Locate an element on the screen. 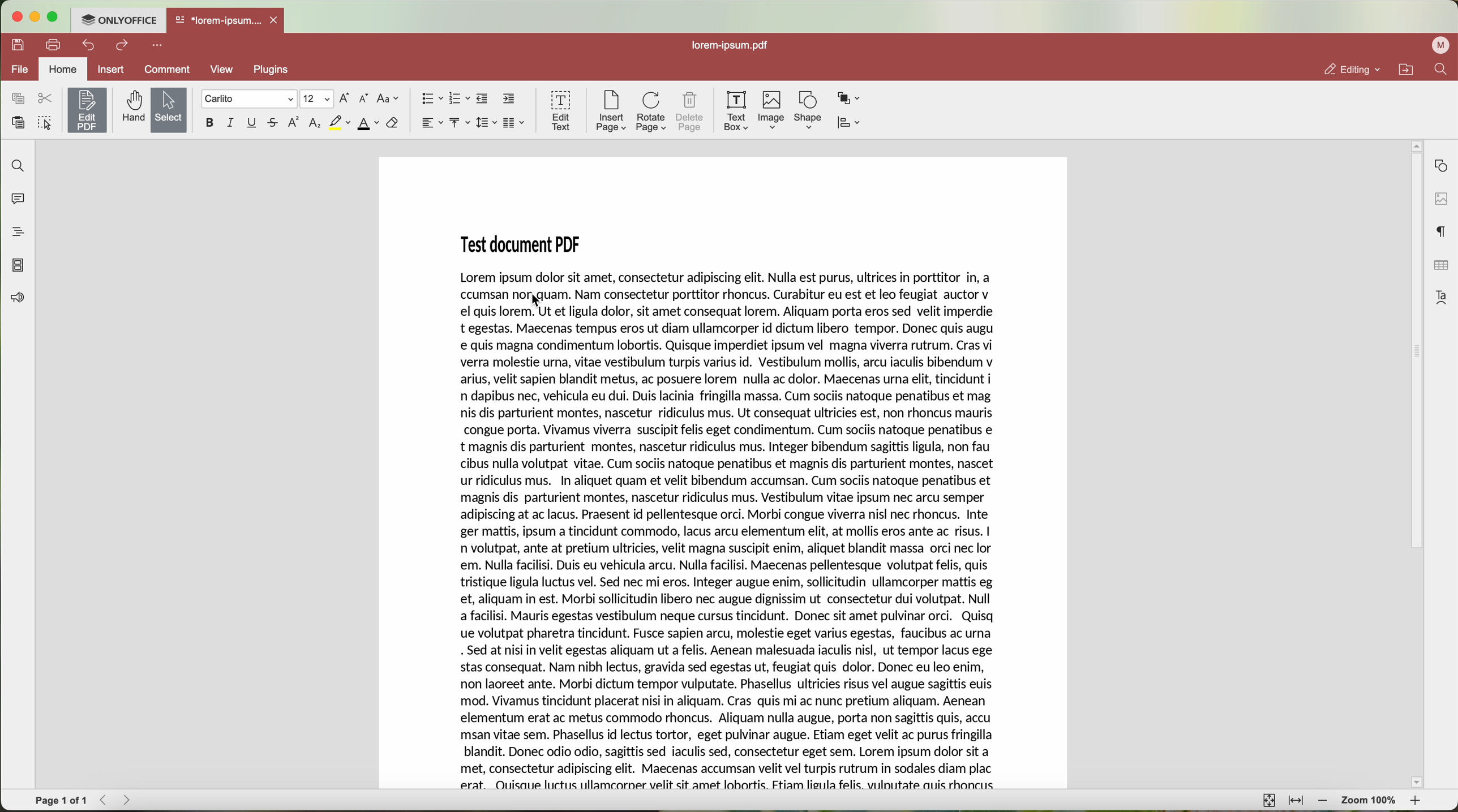 Image resolution: width=1458 pixels, height=812 pixels. text art settings is located at coordinates (1440, 298).